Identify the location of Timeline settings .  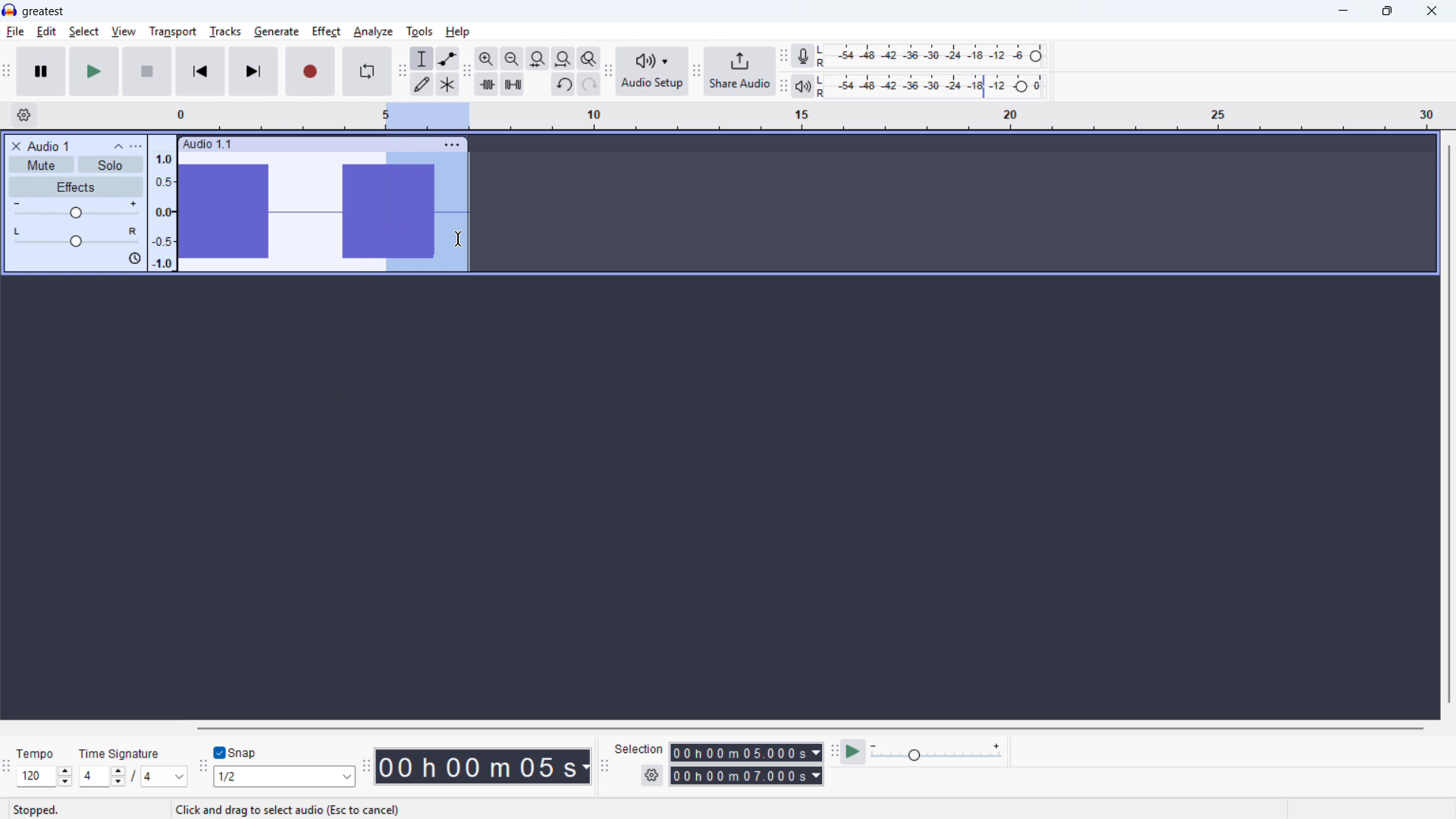
(24, 115).